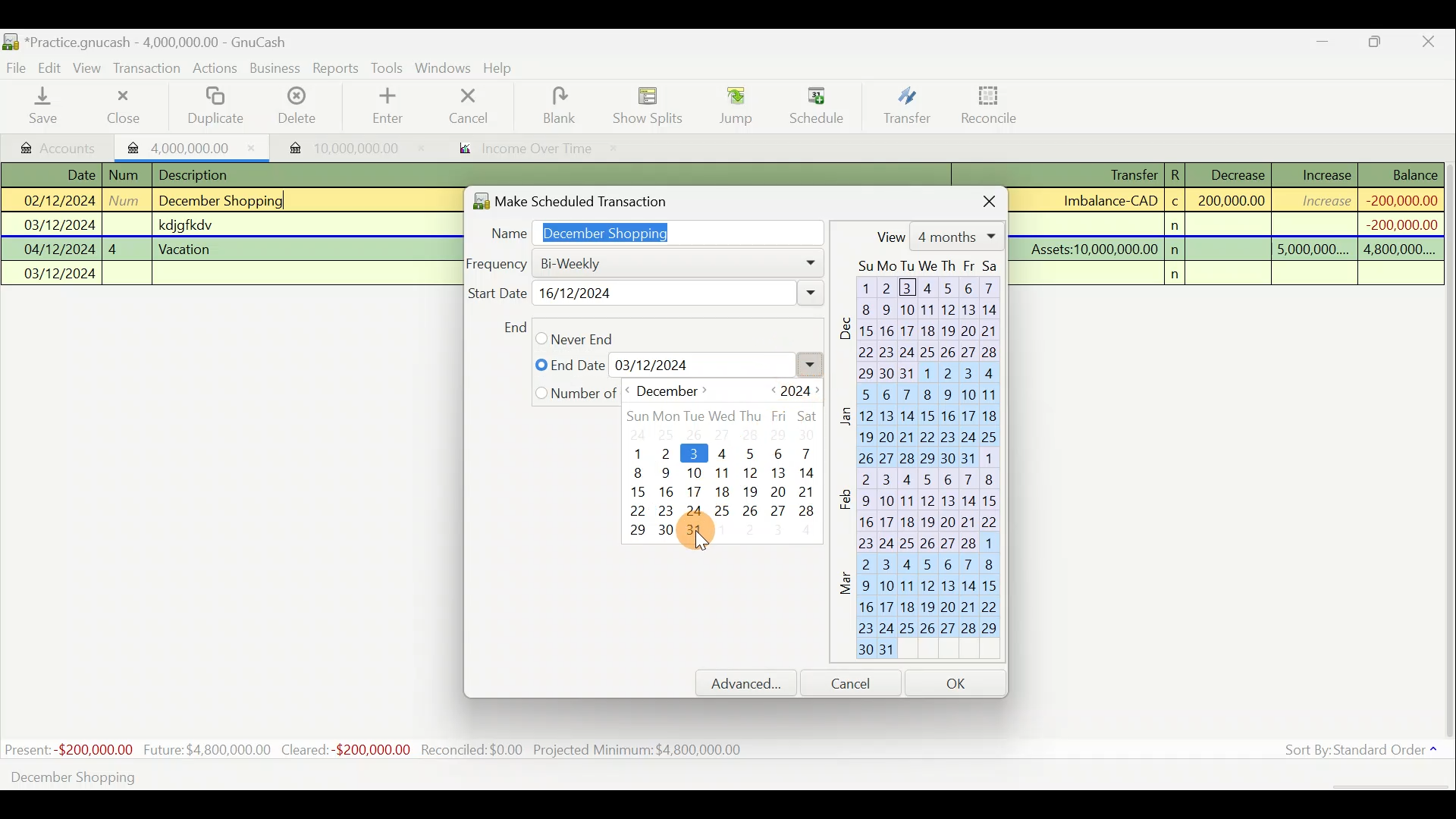 The height and width of the screenshot is (819, 1456). Describe the element at coordinates (607, 262) in the screenshot. I see `Daily` at that location.